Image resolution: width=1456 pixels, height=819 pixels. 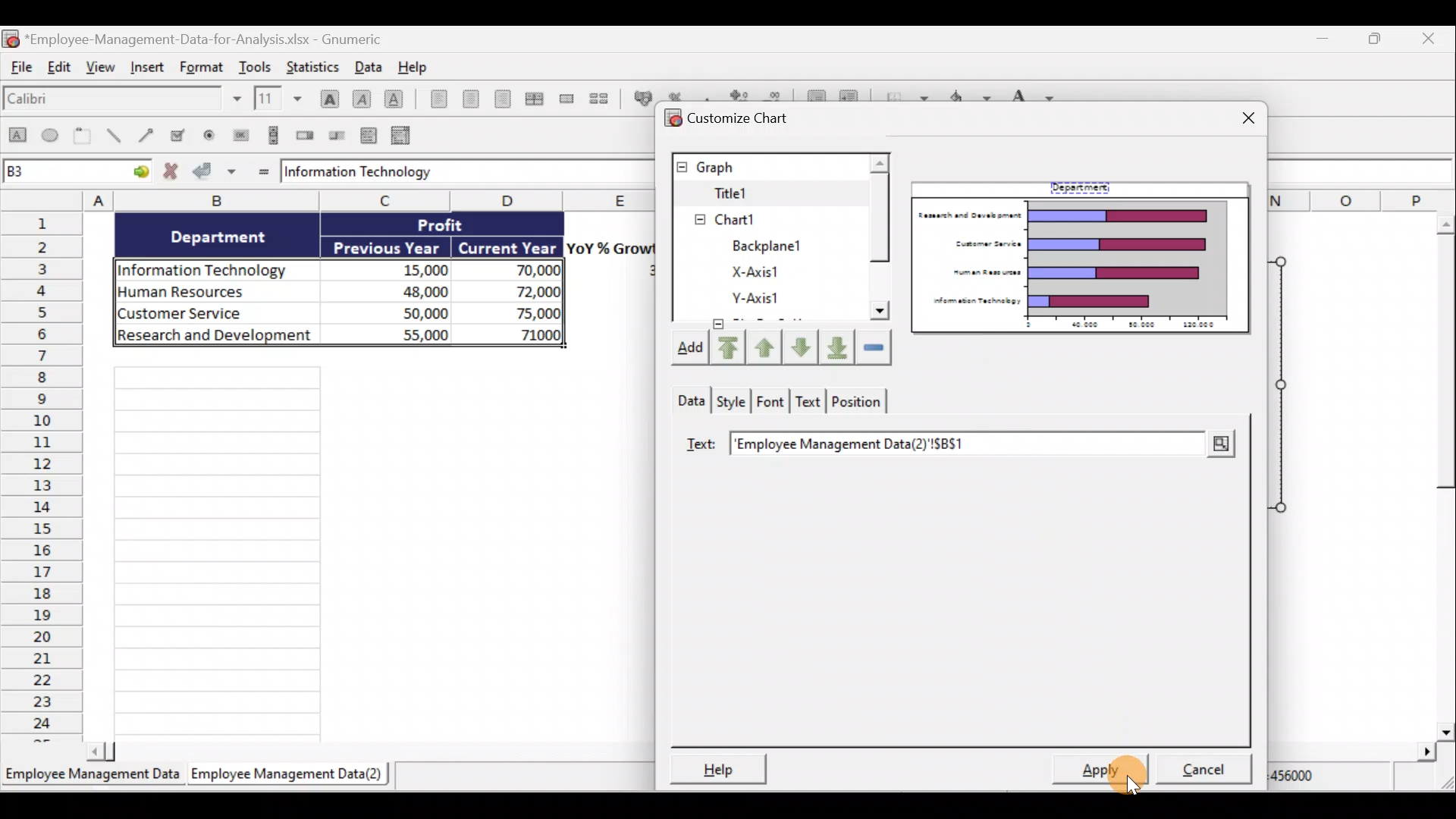 What do you see at coordinates (263, 172) in the screenshot?
I see `Enter formula` at bounding box center [263, 172].